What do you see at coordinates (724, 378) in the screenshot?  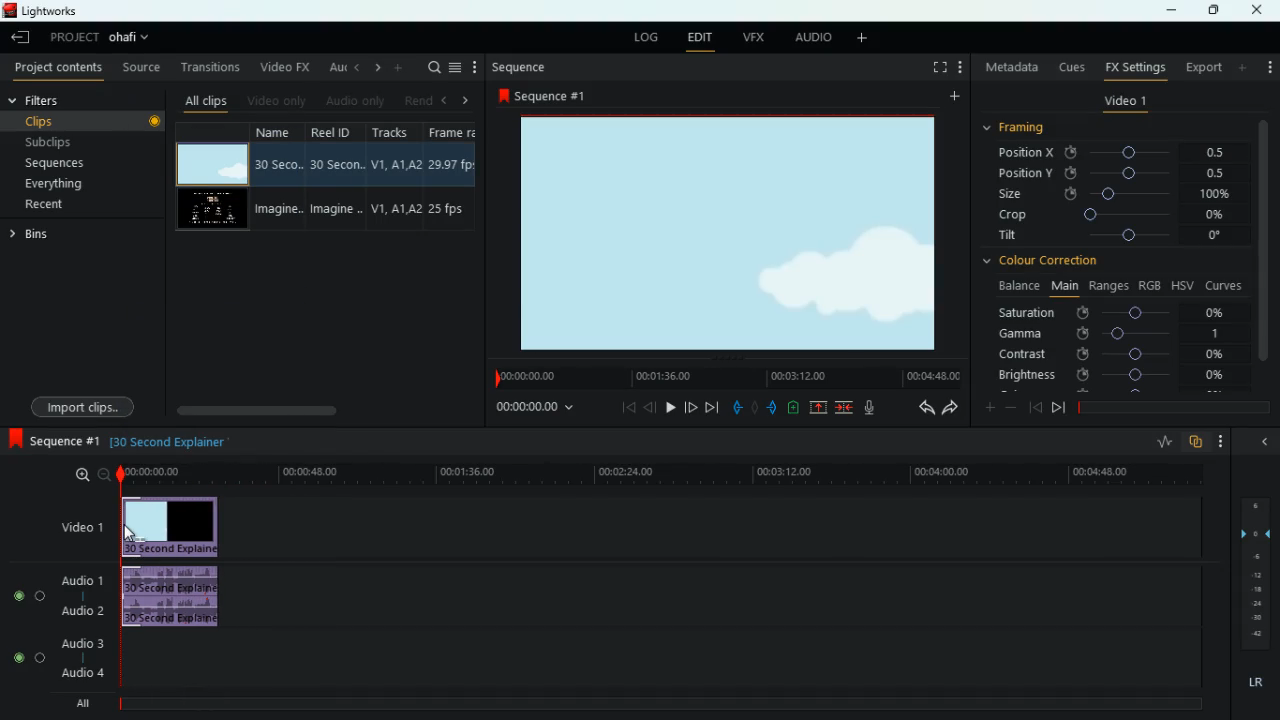 I see `time` at bounding box center [724, 378].